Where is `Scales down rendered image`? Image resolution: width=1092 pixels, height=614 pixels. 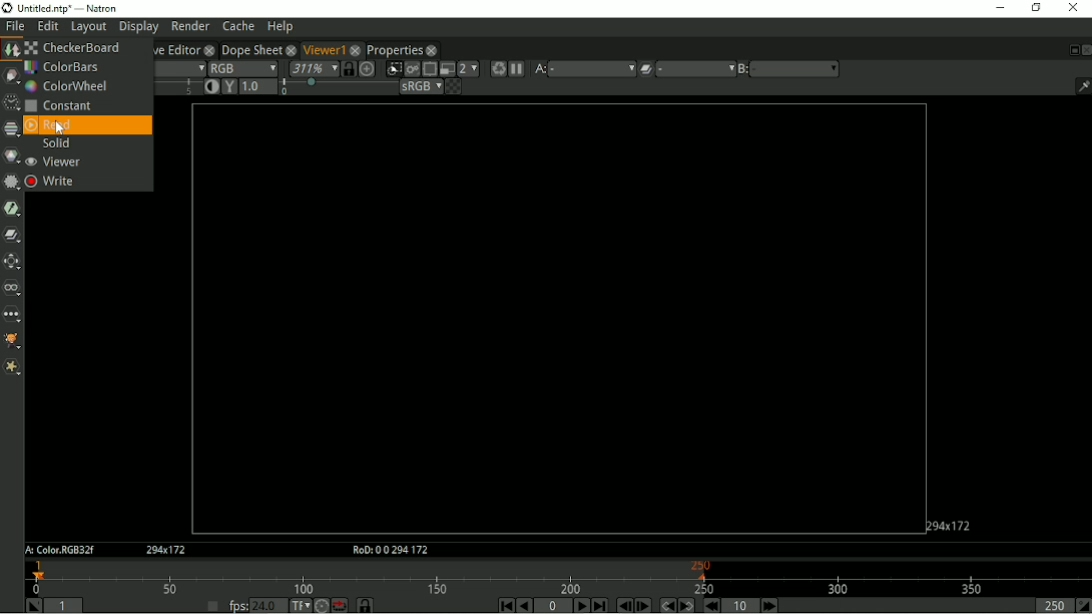
Scales down rendered image is located at coordinates (468, 69).